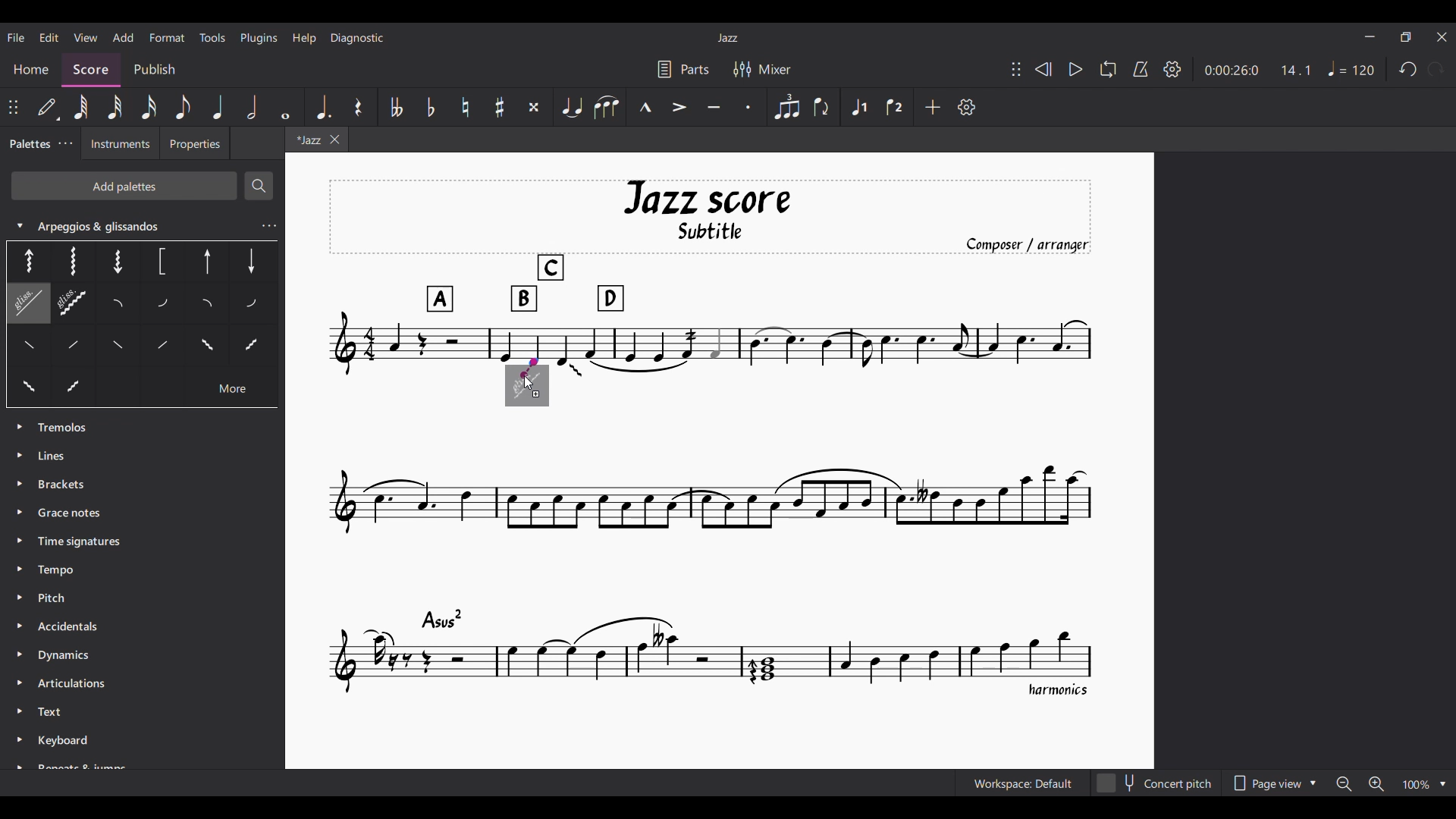  Describe the element at coordinates (1274, 783) in the screenshot. I see `Page view options` at that location.